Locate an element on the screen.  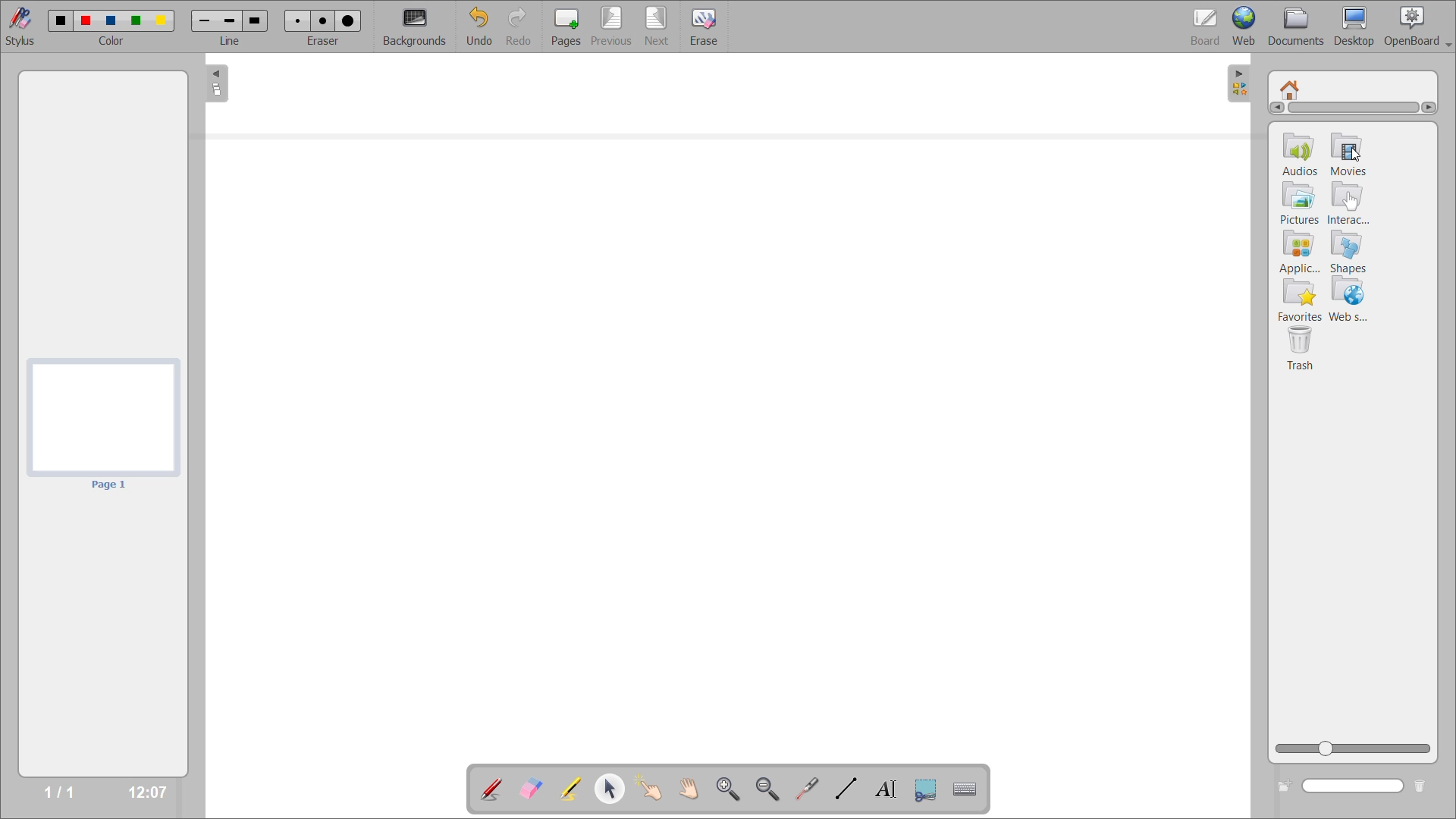
color 3 is located at coordinates (112, 20).